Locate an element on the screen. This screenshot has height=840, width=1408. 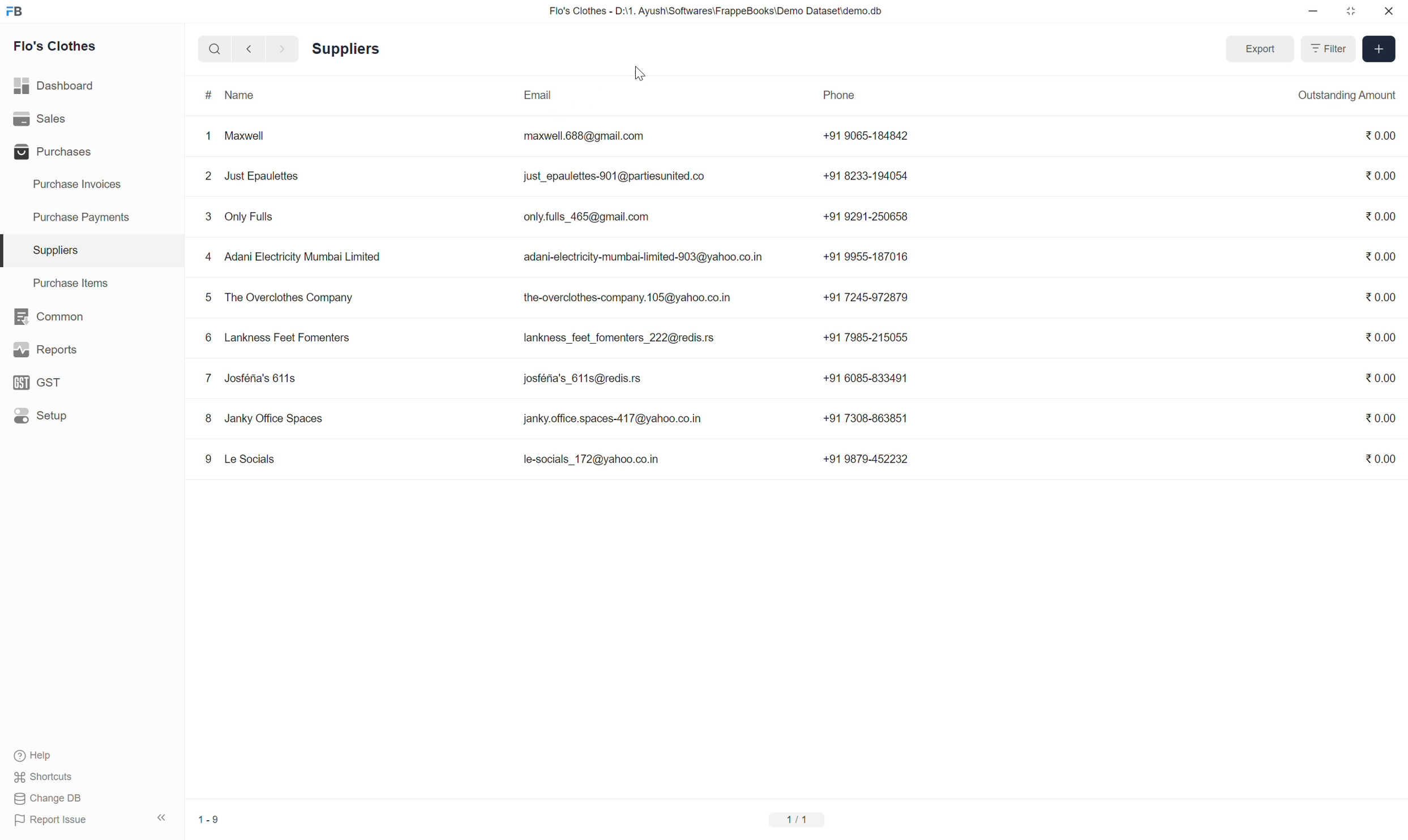
0.00 is located at coordinates (1379, 337).